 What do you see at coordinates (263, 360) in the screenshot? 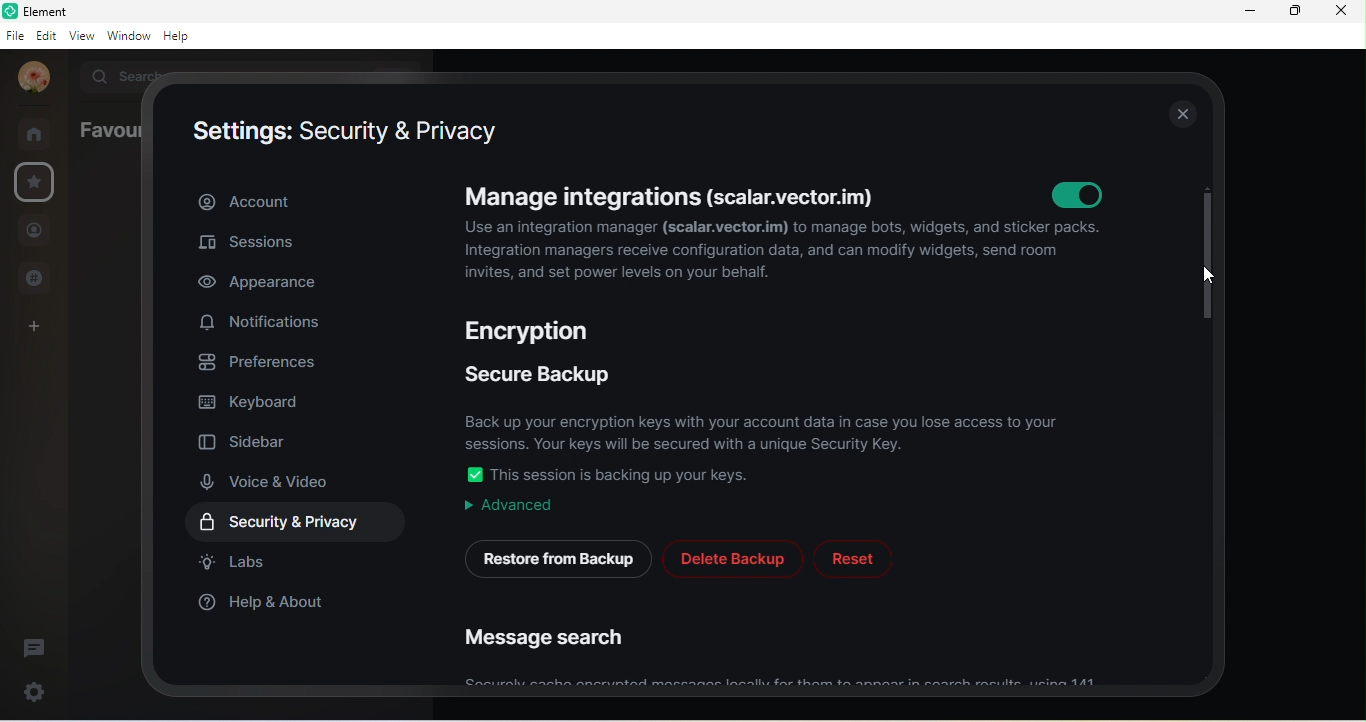
I see `preferences` at bounding box center [263, 360].